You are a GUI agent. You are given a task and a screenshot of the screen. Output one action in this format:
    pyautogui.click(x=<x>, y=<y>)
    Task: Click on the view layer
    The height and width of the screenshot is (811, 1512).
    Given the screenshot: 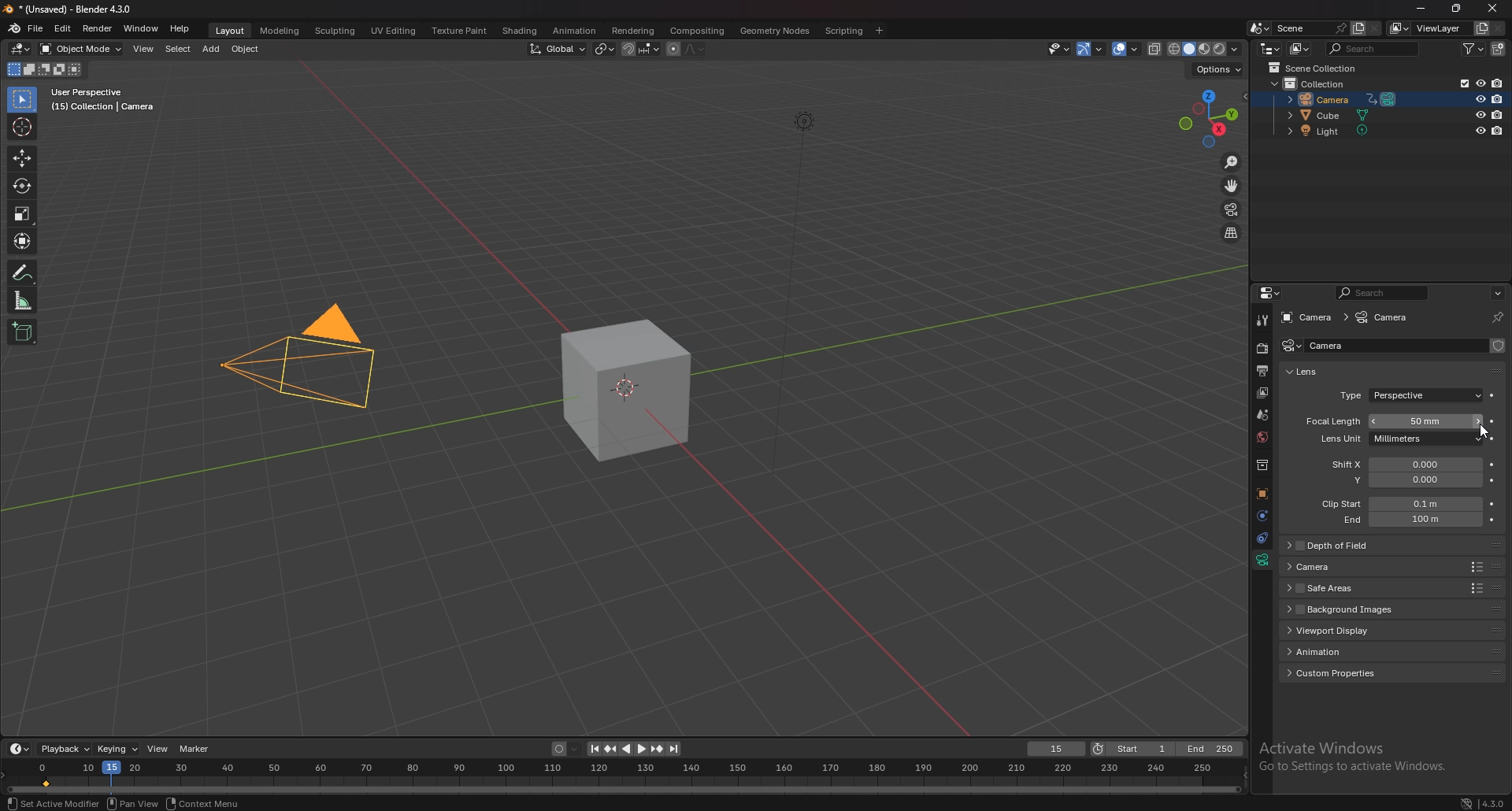 What is the action you would take?
    pyautogui.click(x=1430, y=28)
    